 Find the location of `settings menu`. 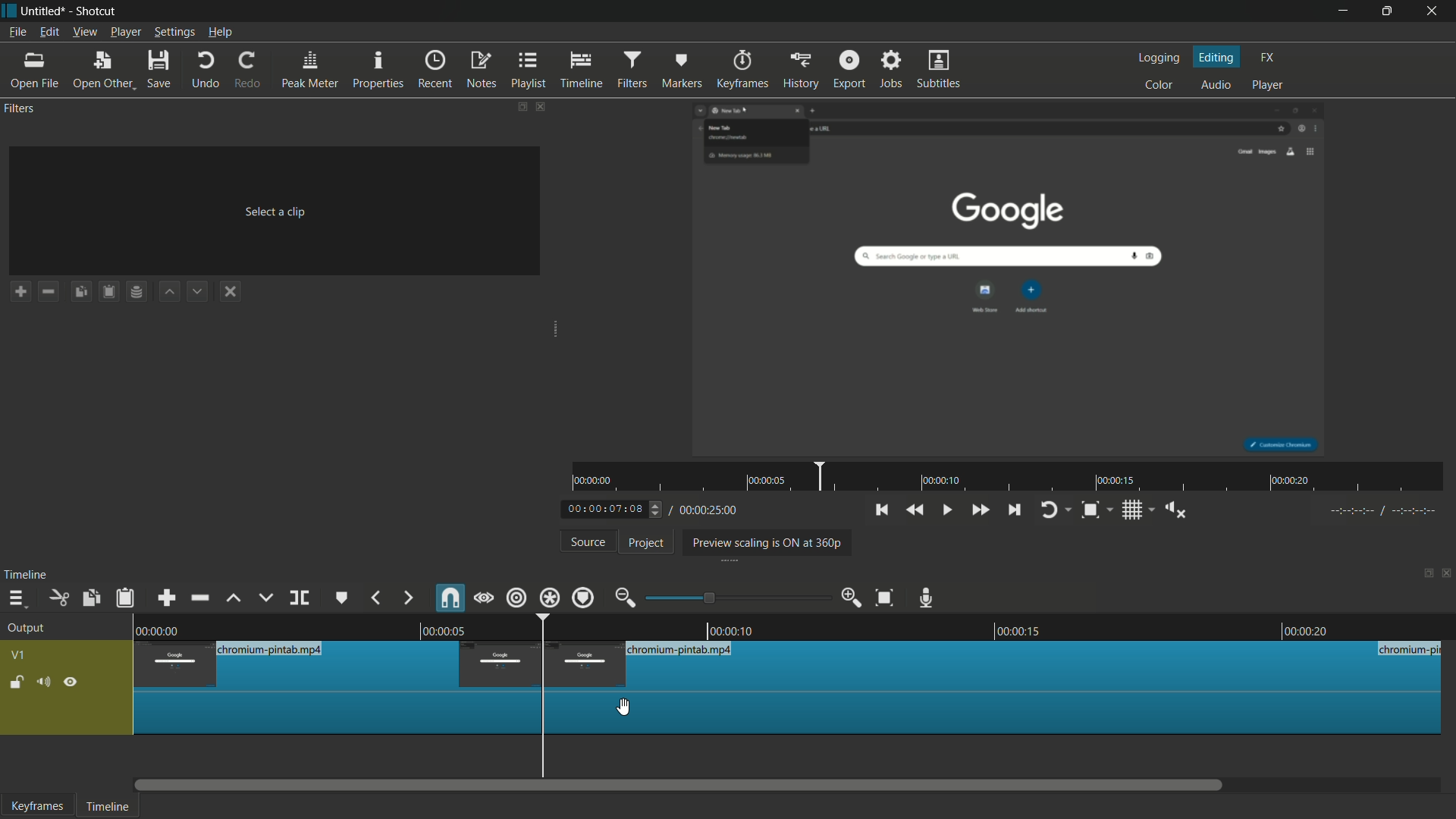

settings menu is located at coordinates (174, 33).